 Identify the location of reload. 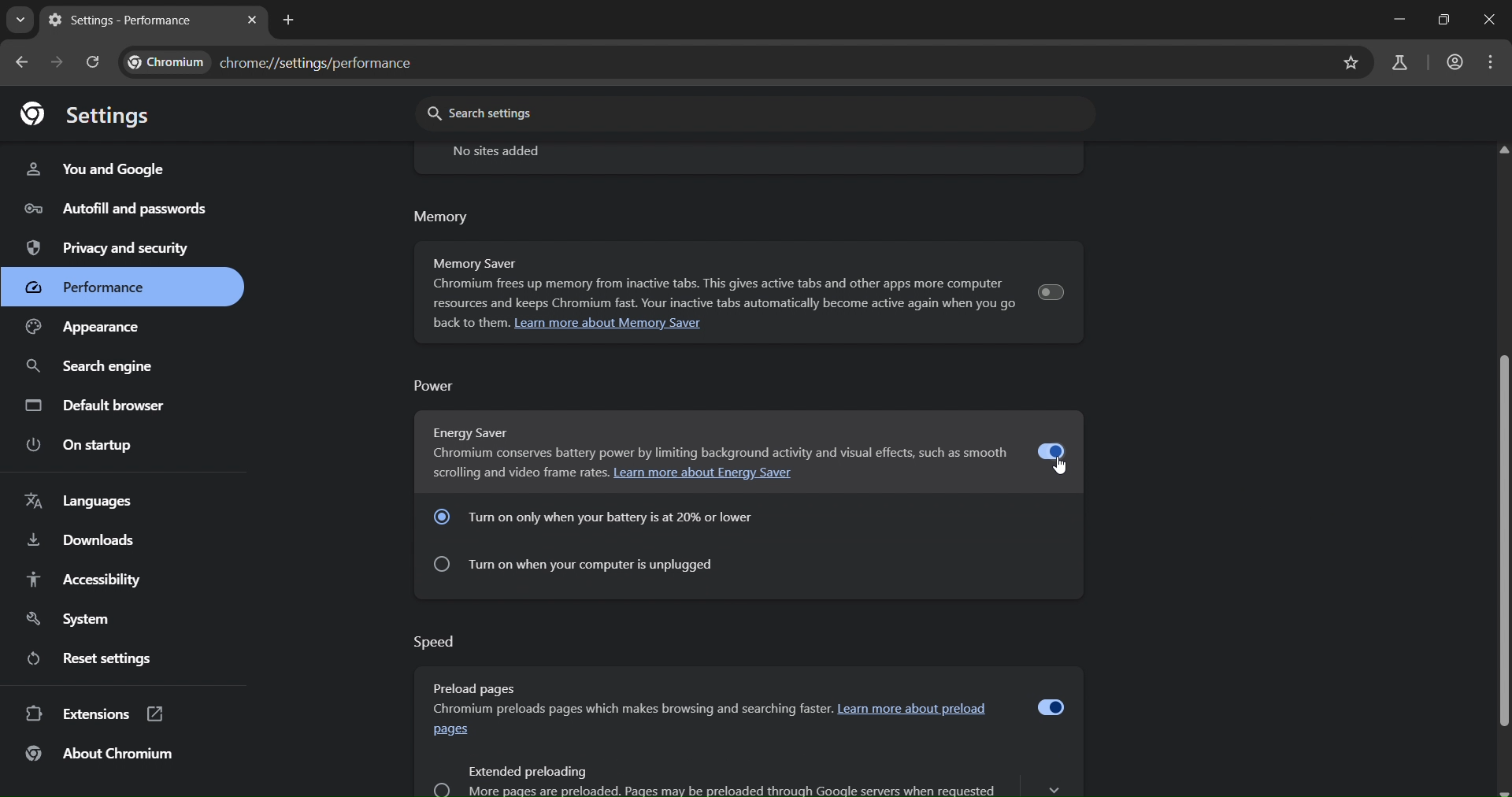
(98, 61).